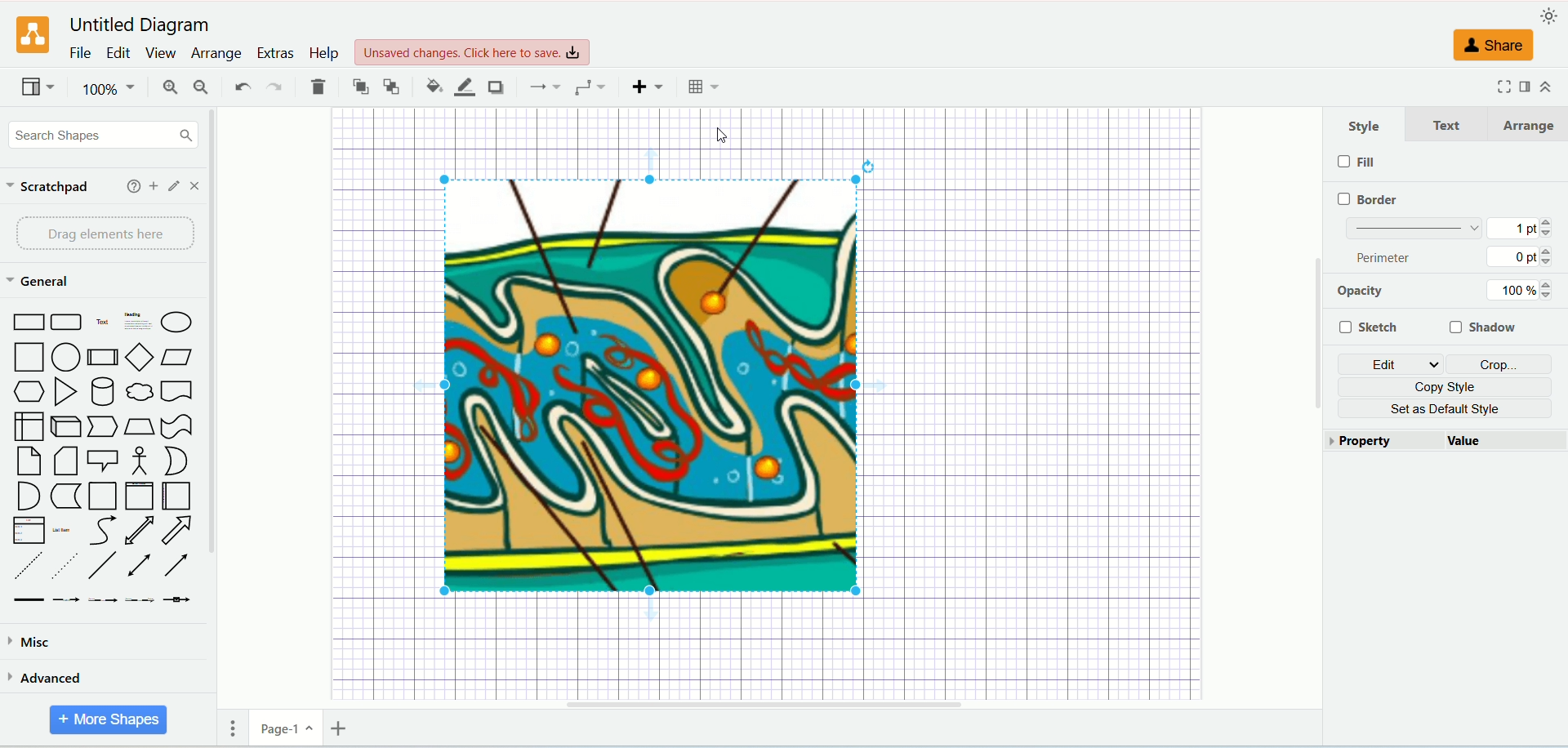 The image size is (1568, 748). What do you see at coordinates (100, 232) in the screenshot?
I see `drag elements here` at bounding box center [100, 232].